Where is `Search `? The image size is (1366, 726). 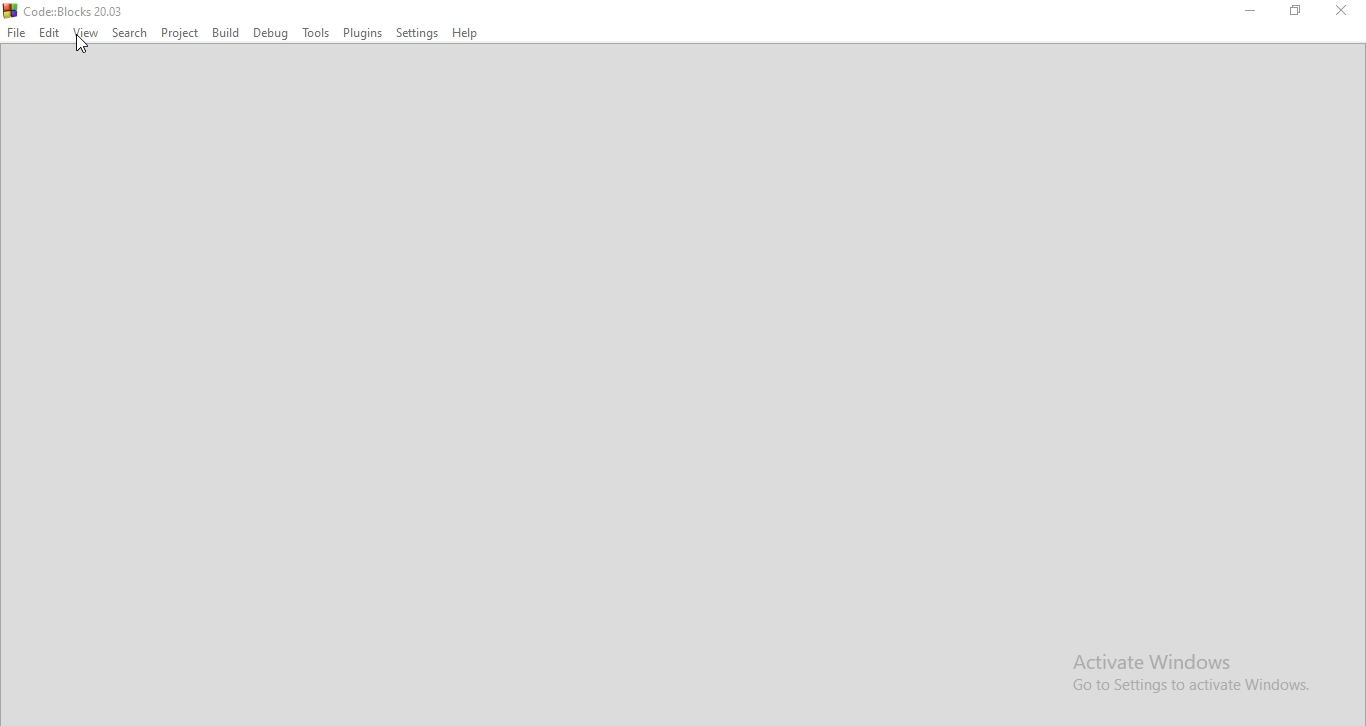 Search  is located at coordinates (130, 33).